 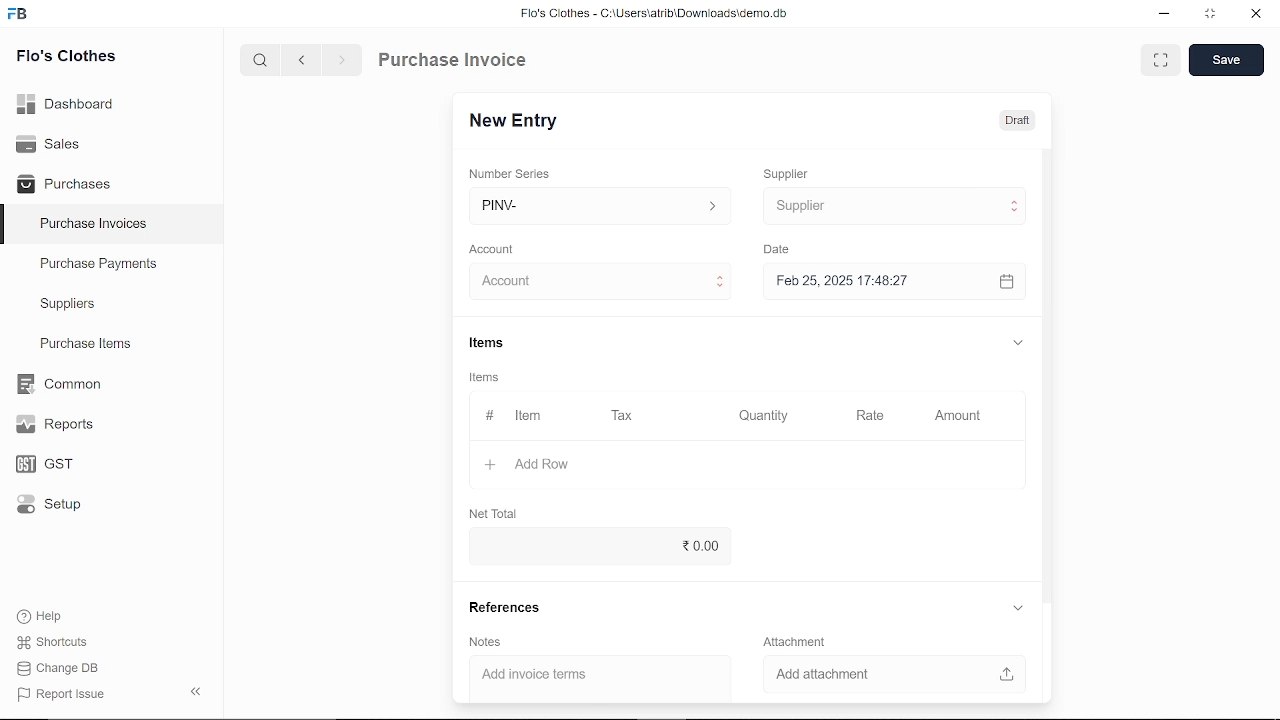 I want to click on Date, so click(x=782, y=250).